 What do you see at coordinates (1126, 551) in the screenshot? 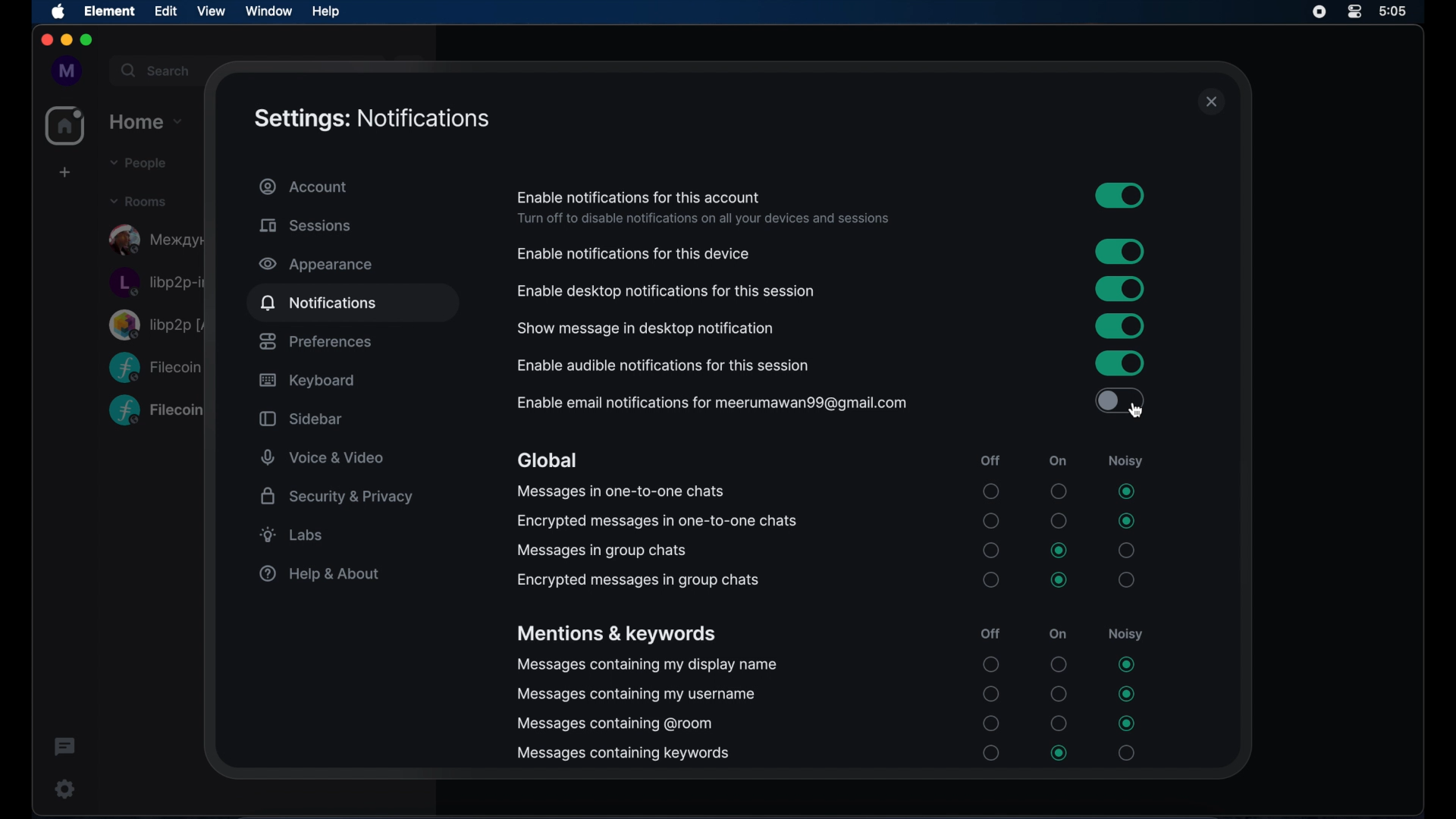
I see `radio button` at bounding box center [1126, 551].